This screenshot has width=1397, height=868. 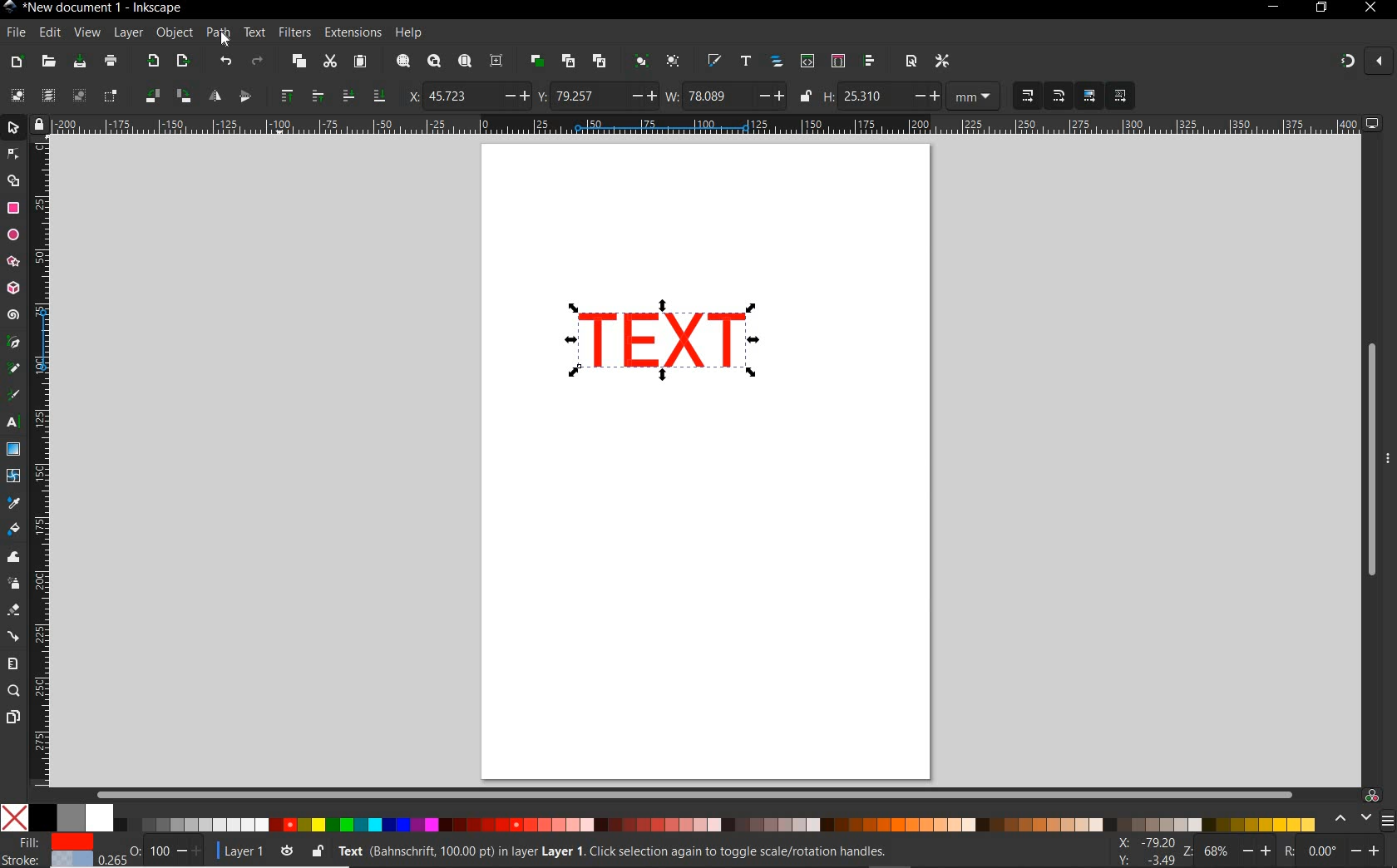 What do you see at coordinates (15, 475) in the screenshot?
I see `MESH TOOL` at bounding box center [15, 475].